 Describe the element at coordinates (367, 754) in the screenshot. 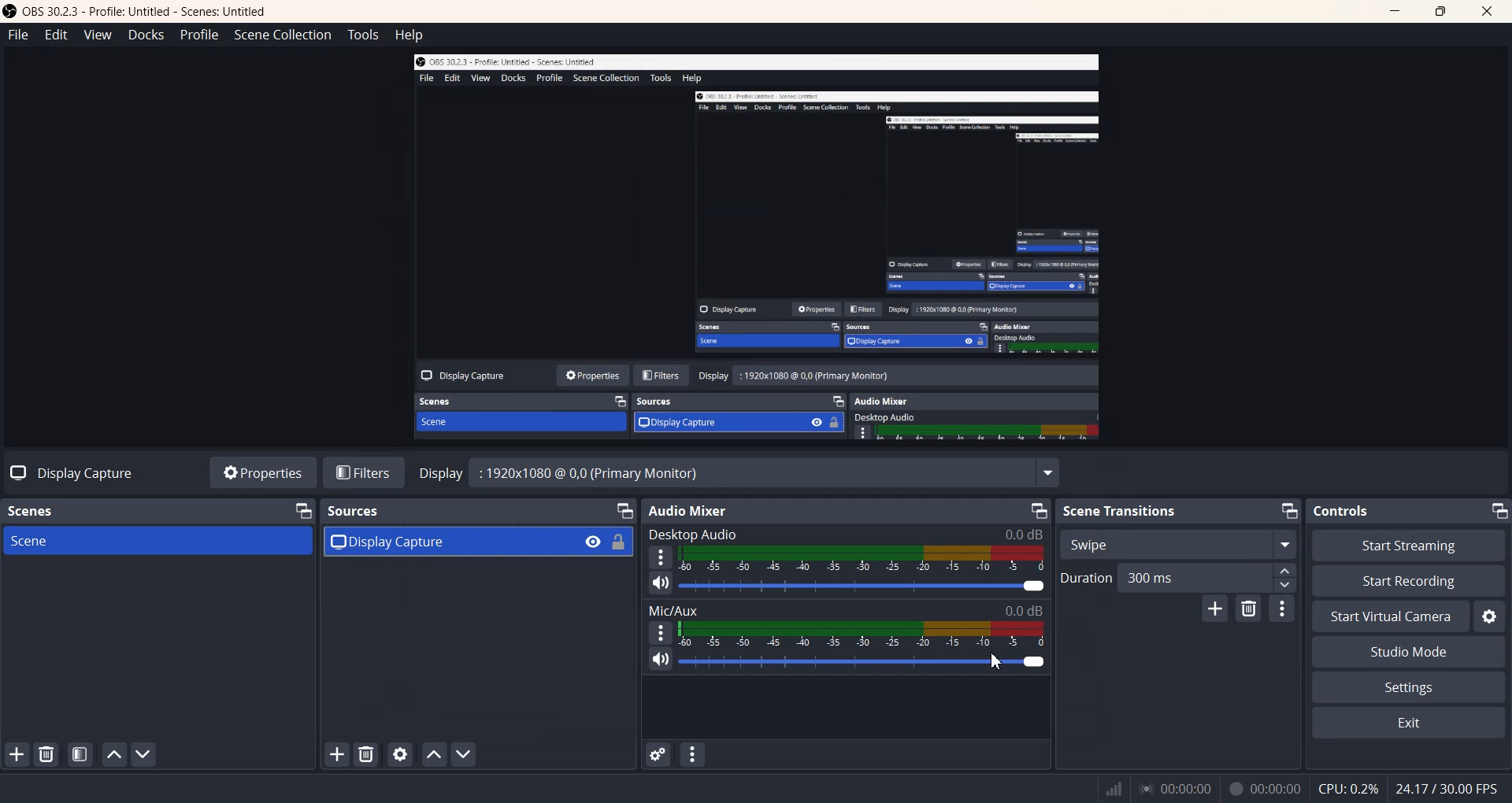

I see `Remove Selected Sources` at that location.